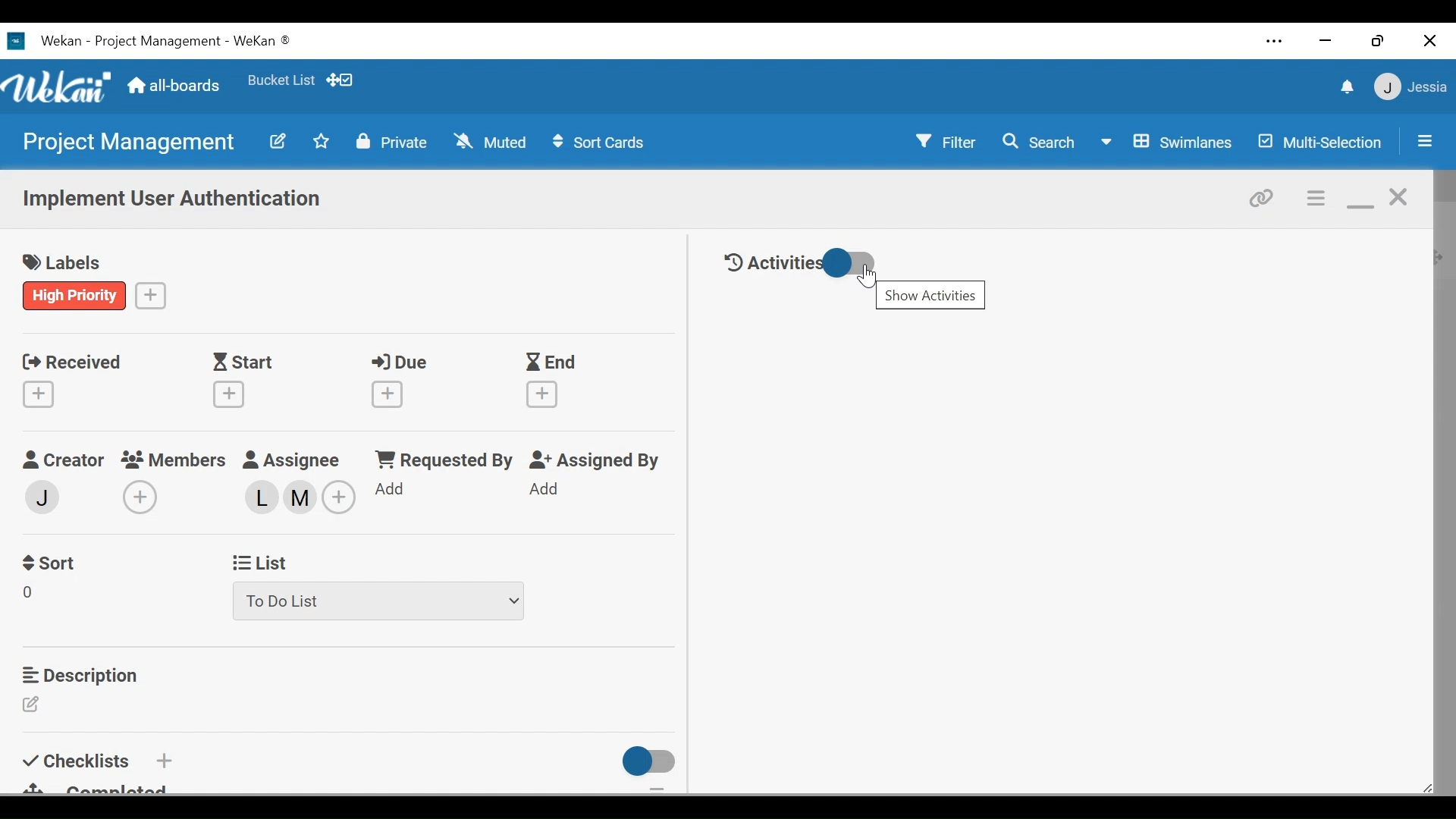 The height and width of the screenshot is (819, 1456). I want to click on Create End Date, so click(542, 394).